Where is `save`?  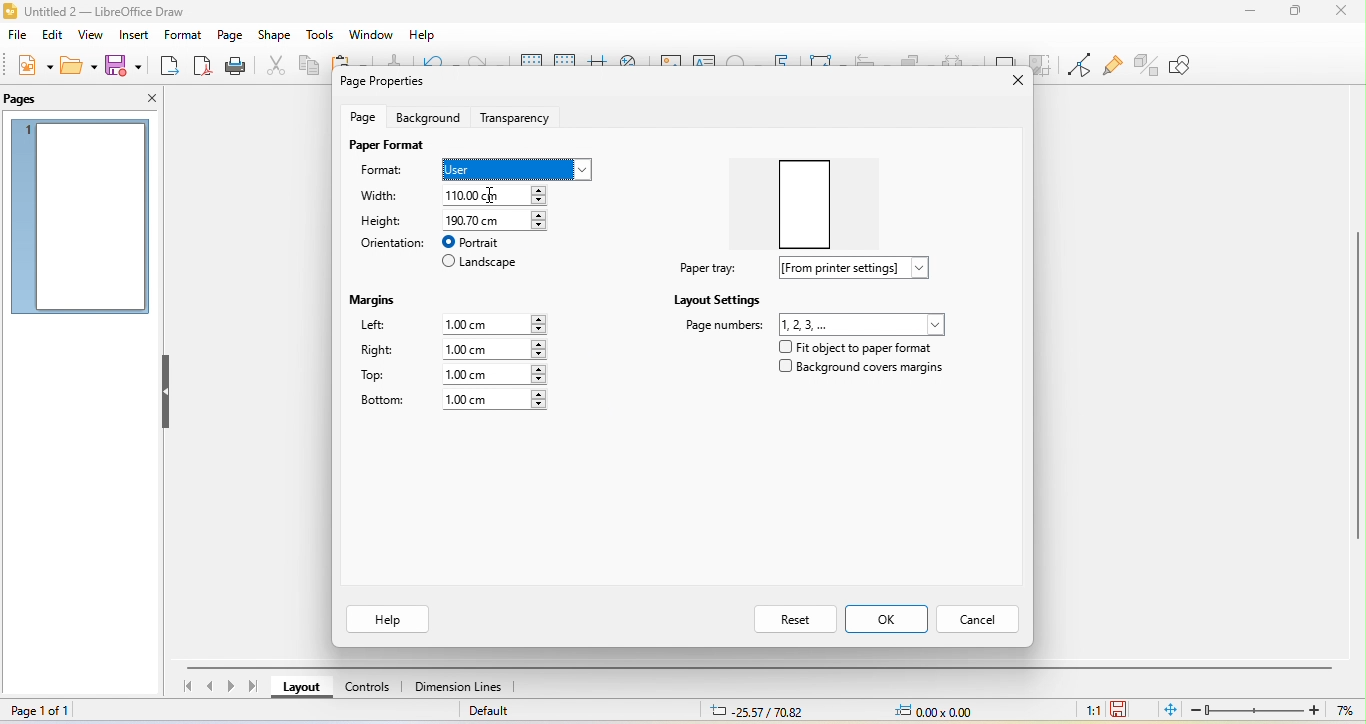
save is located at coordinates (127, 64).